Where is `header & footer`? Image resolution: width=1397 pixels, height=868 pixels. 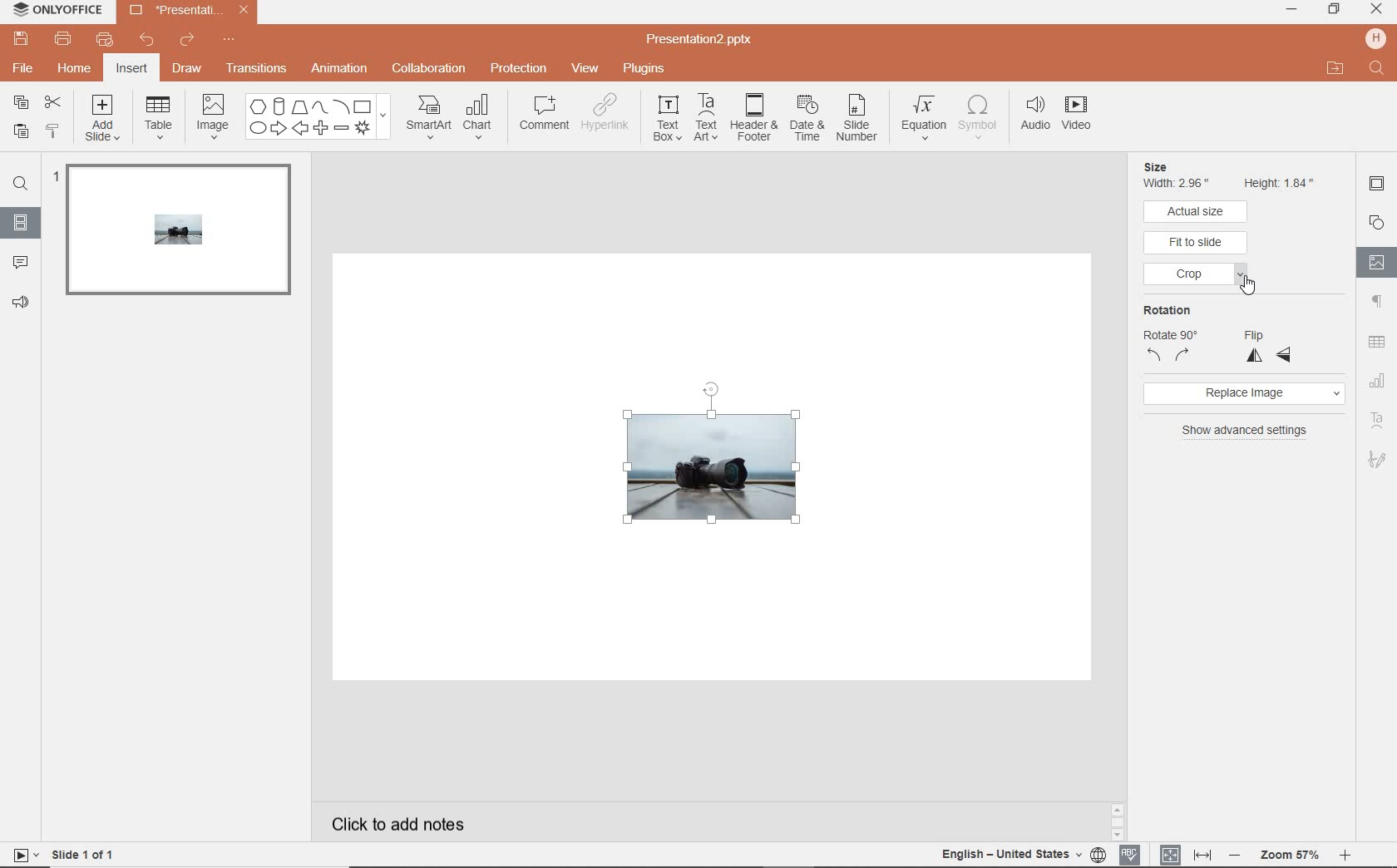
header & footer is located at coordinates (755, 122).